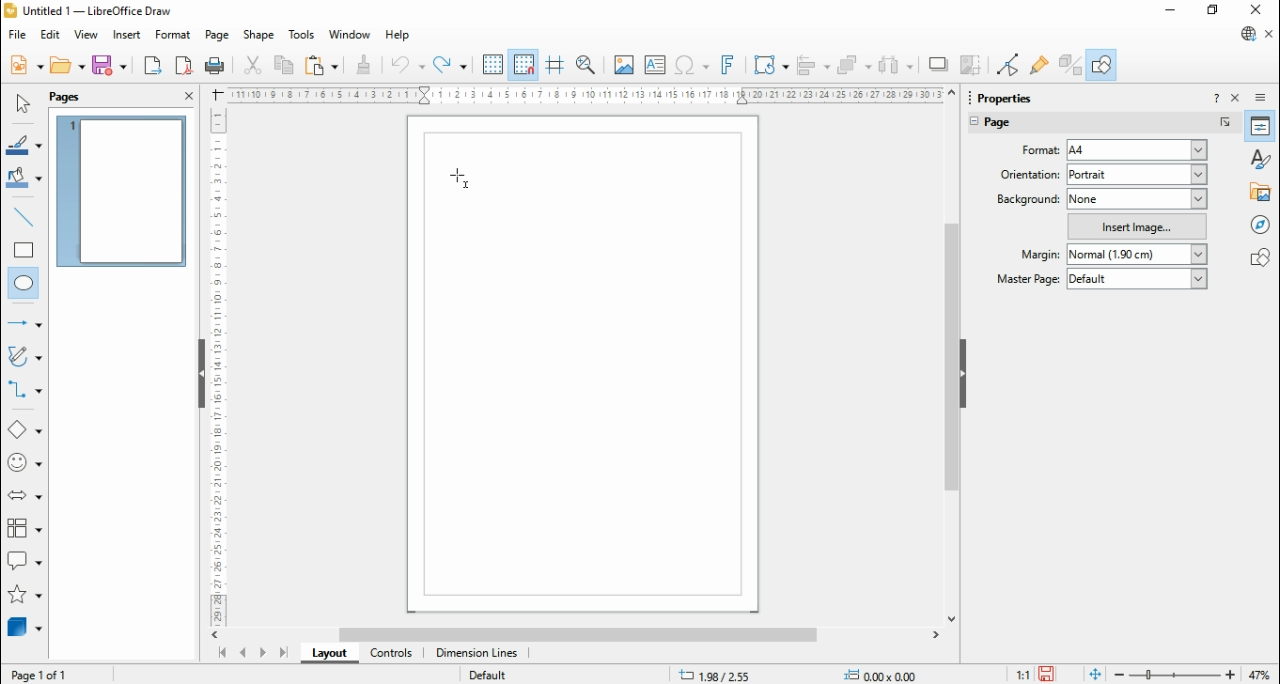 The image size is (1280, 684). Describe the element at coordinates (174, 35) in the screenshot. I see `format` at that location.